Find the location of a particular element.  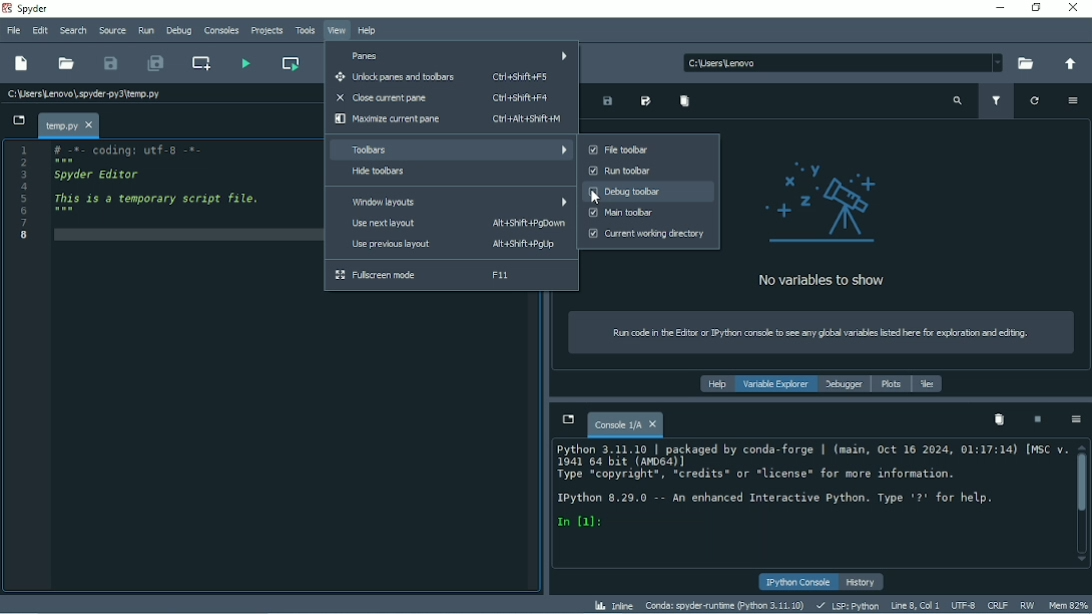

Edit is located at coordinates (39, 29).